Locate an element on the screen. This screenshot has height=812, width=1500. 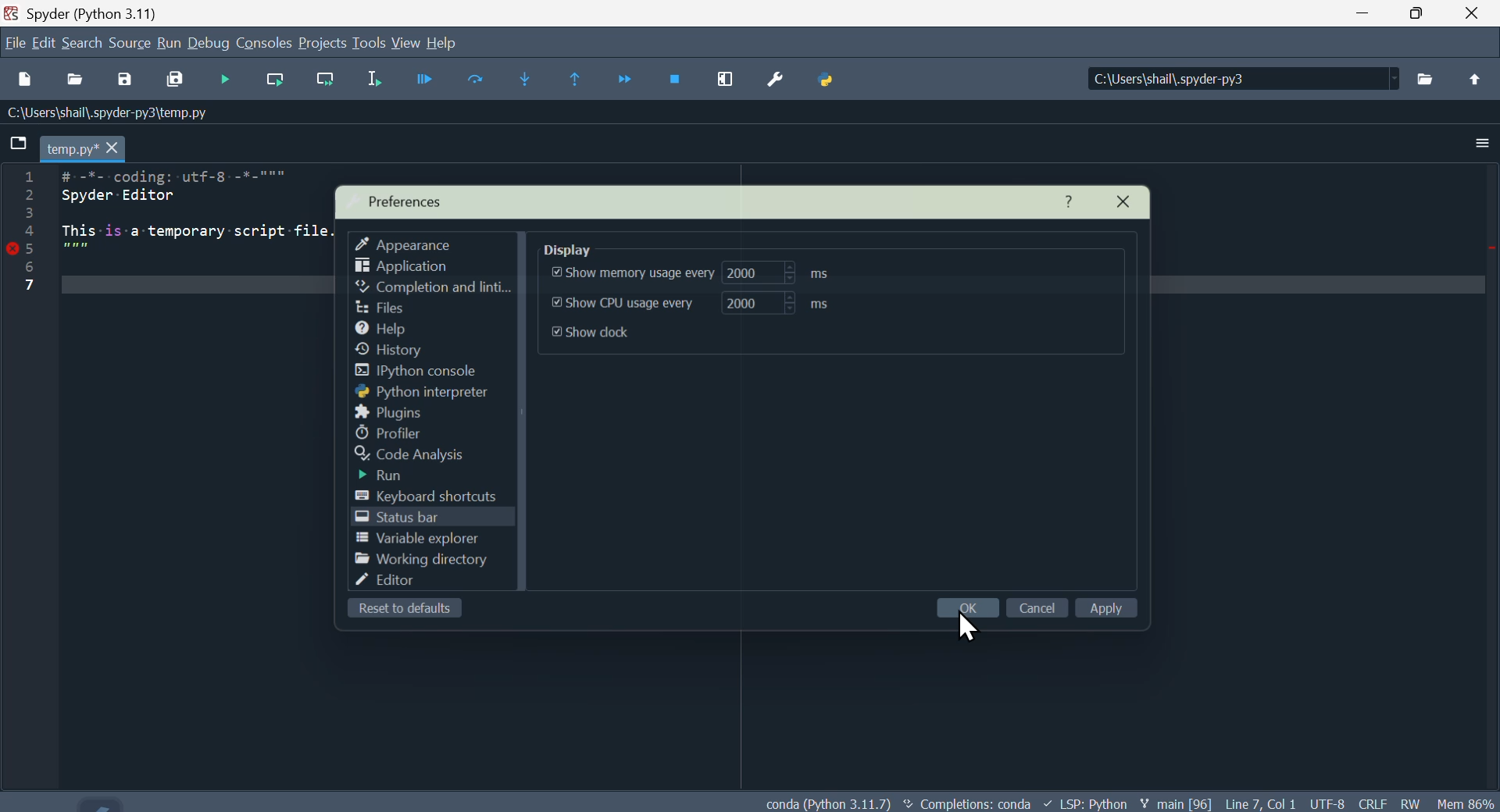
Source is located at coordinates (130, 43).